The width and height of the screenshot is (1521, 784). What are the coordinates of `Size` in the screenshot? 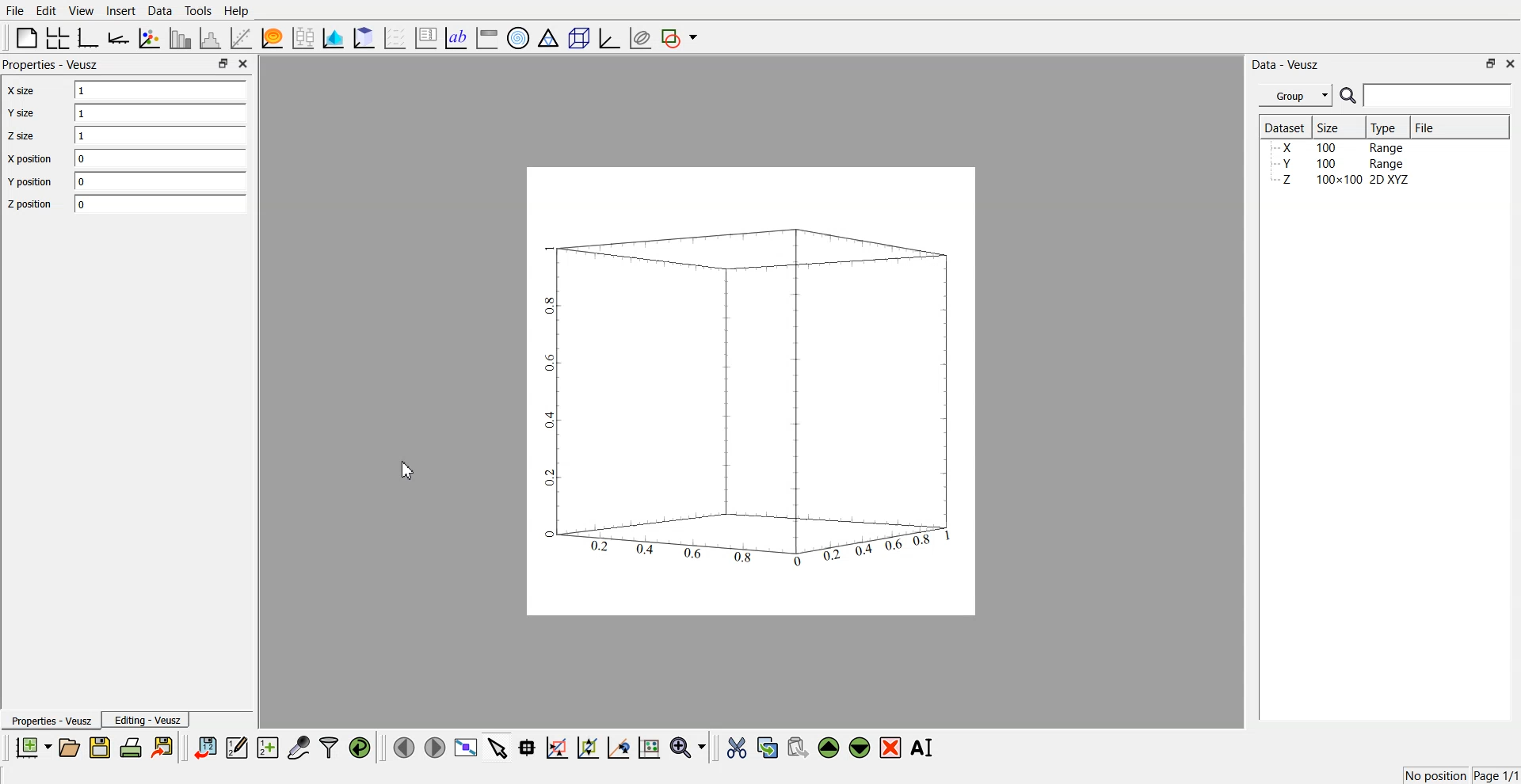 It's located at (1331, 127).